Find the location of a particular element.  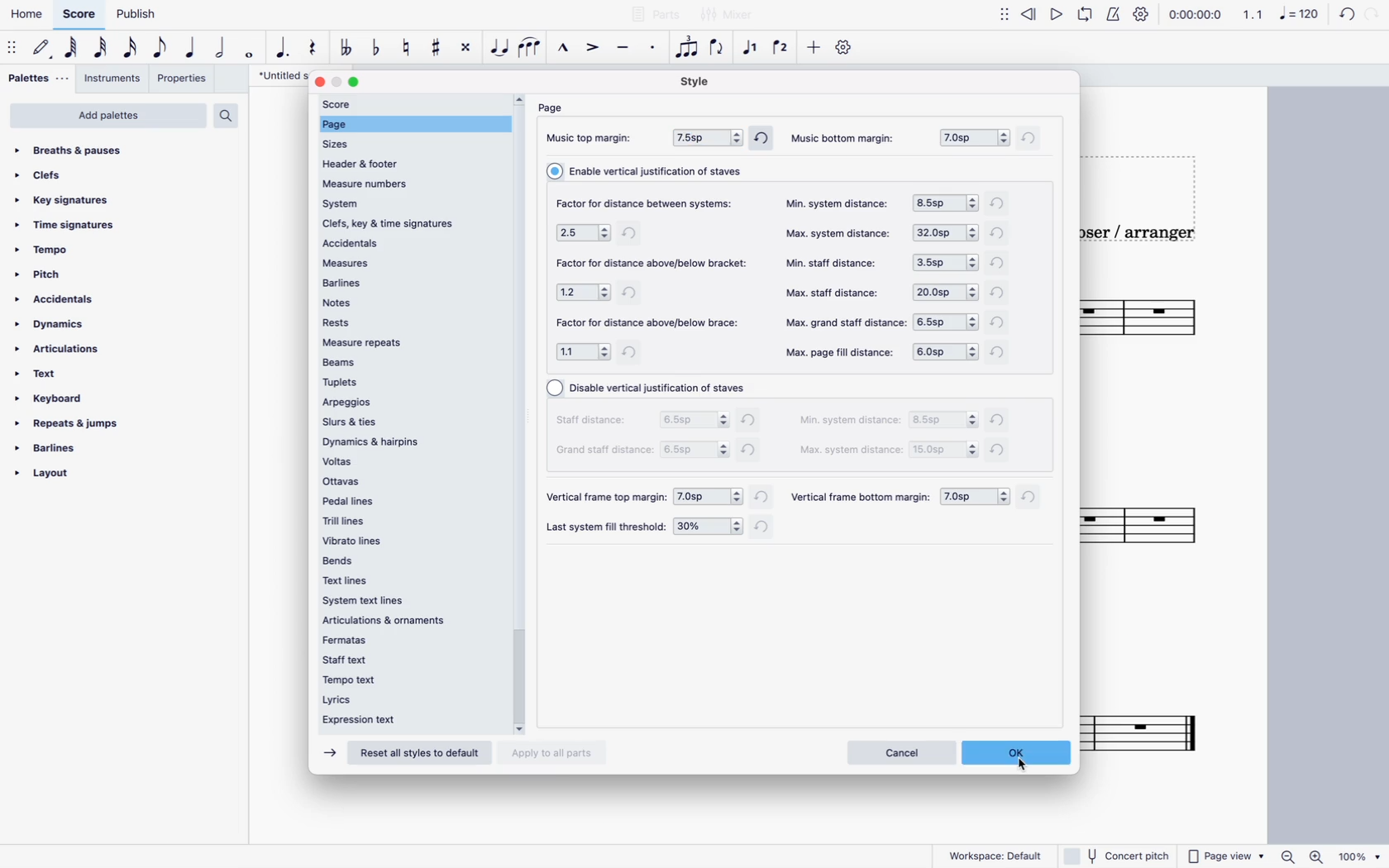

tempo text is located at coordinates (400, 678).